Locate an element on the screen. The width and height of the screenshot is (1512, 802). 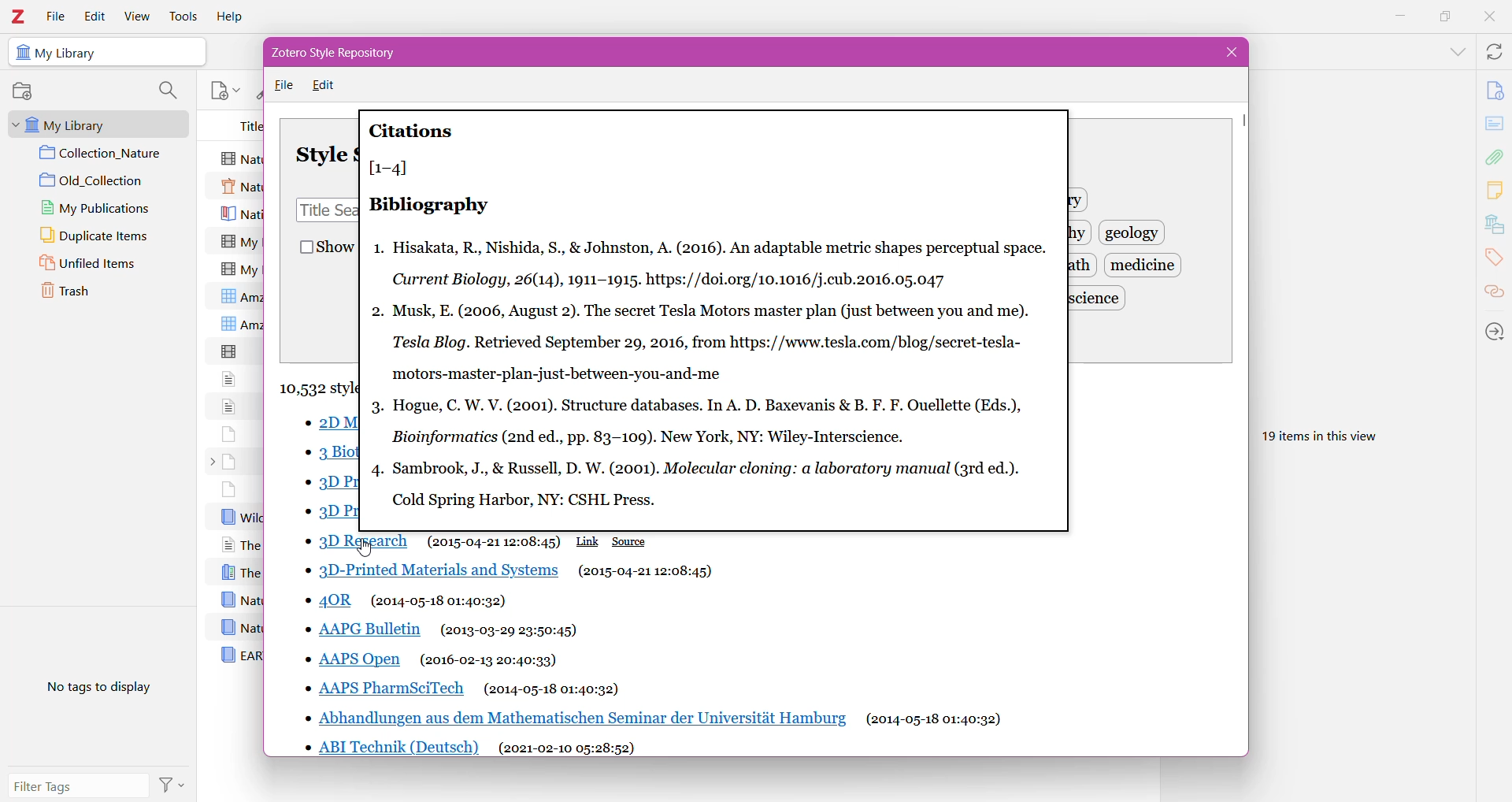
cursor is located at coordinates (363, 549).